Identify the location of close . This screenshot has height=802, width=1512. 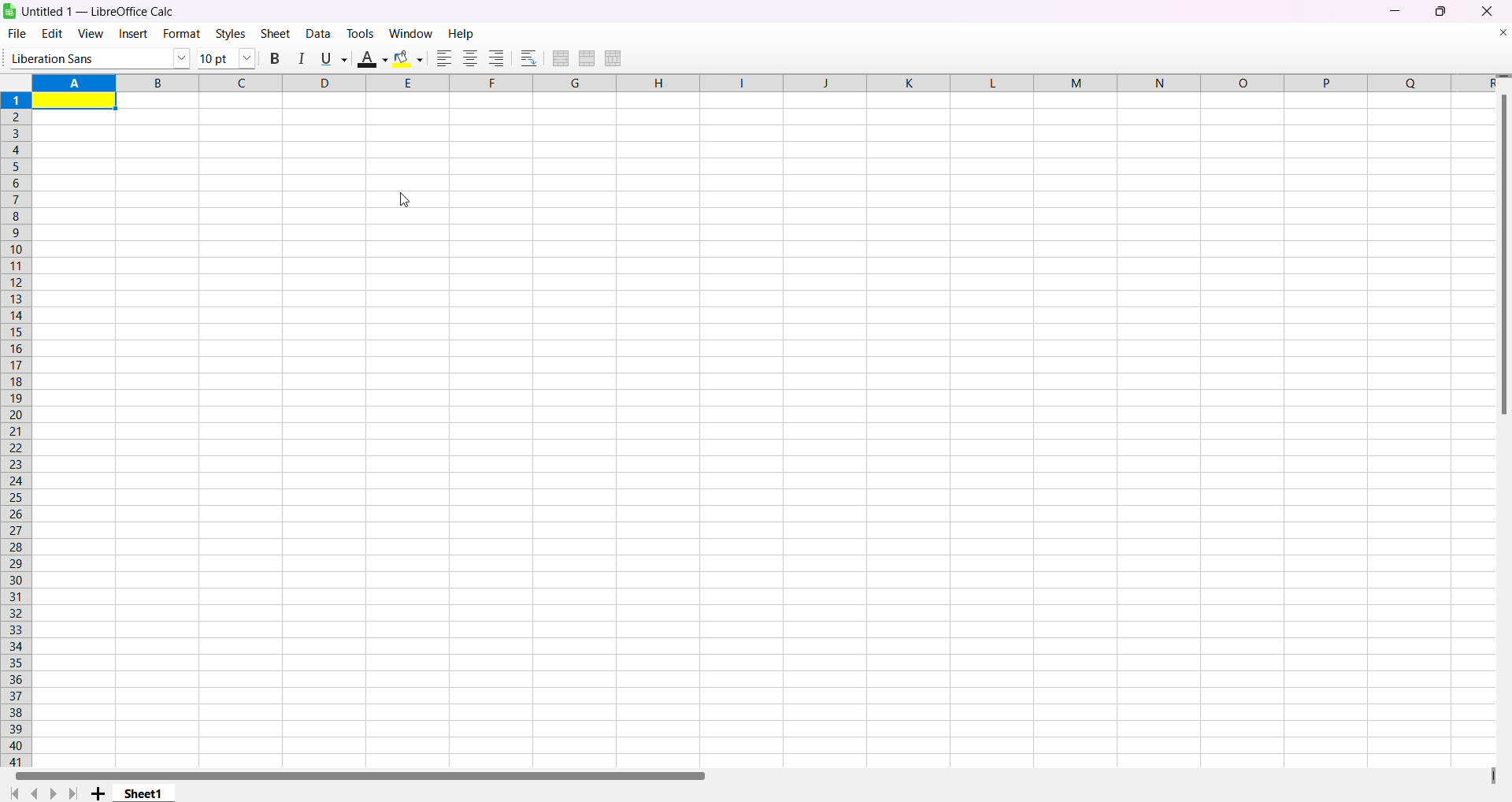
(1487, 12).